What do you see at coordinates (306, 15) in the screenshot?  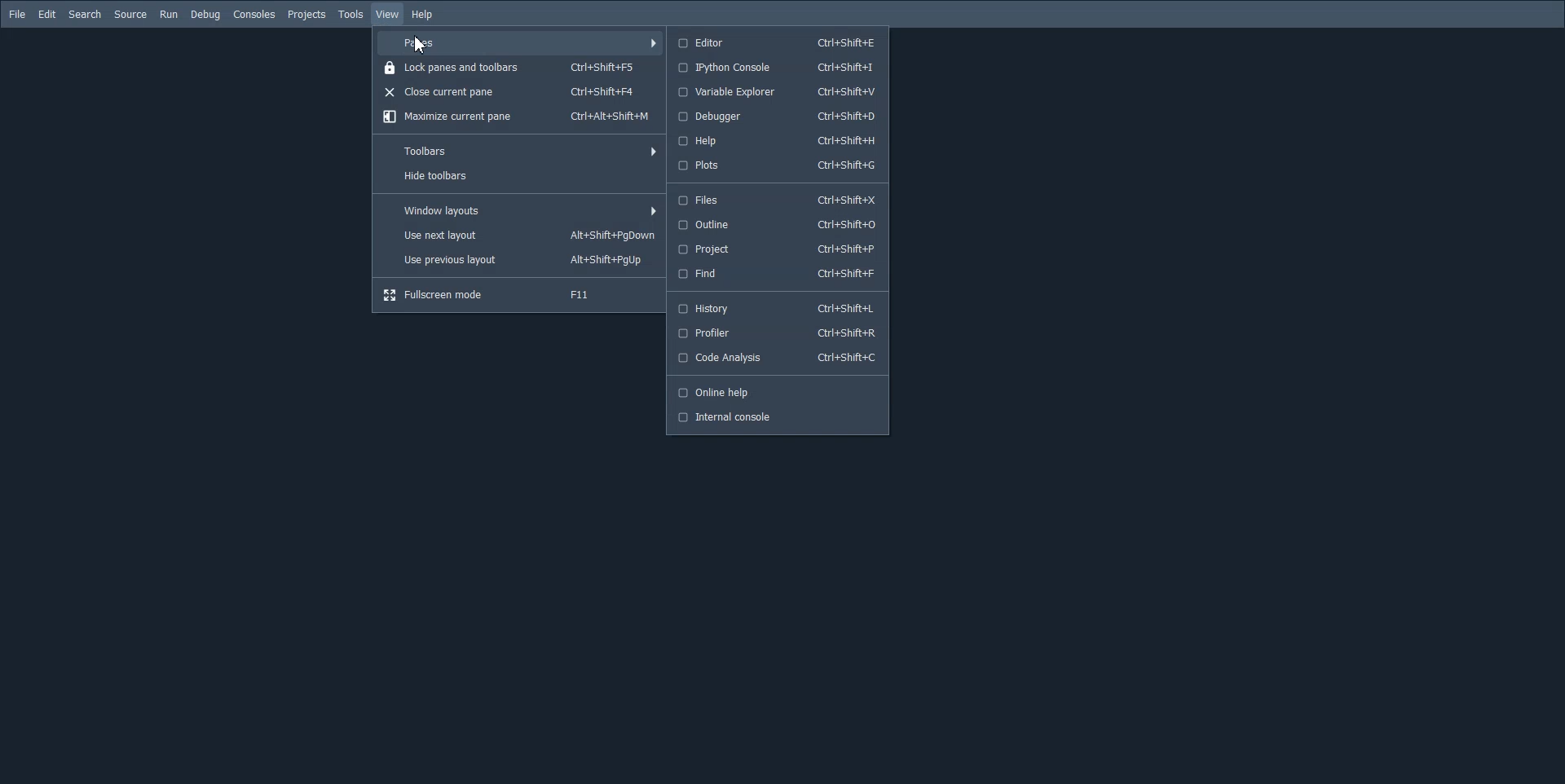 I see `Projects` at bounding box center [306, 15].